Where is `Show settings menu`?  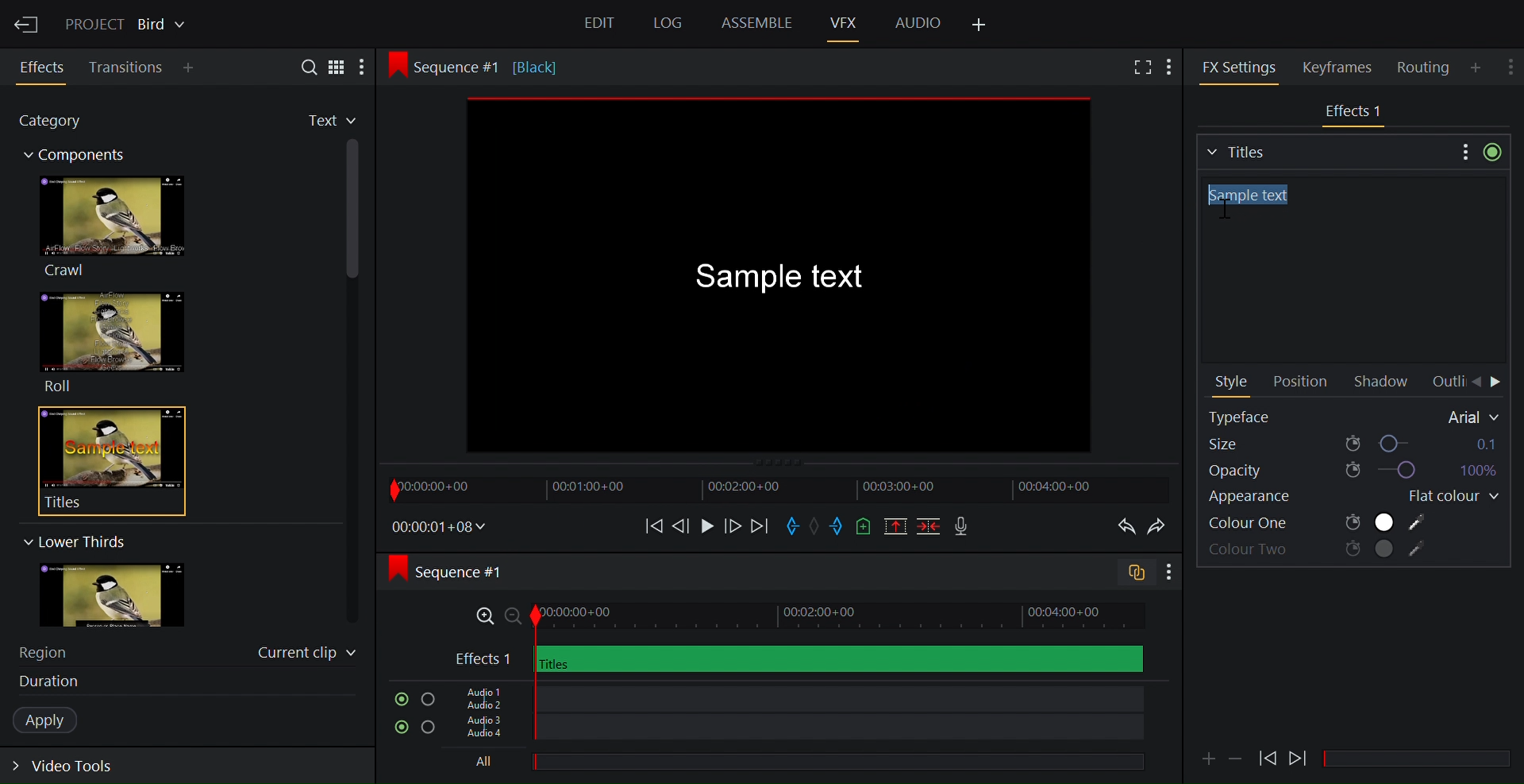 Show settings menu is located at coordinates (1168, 573).